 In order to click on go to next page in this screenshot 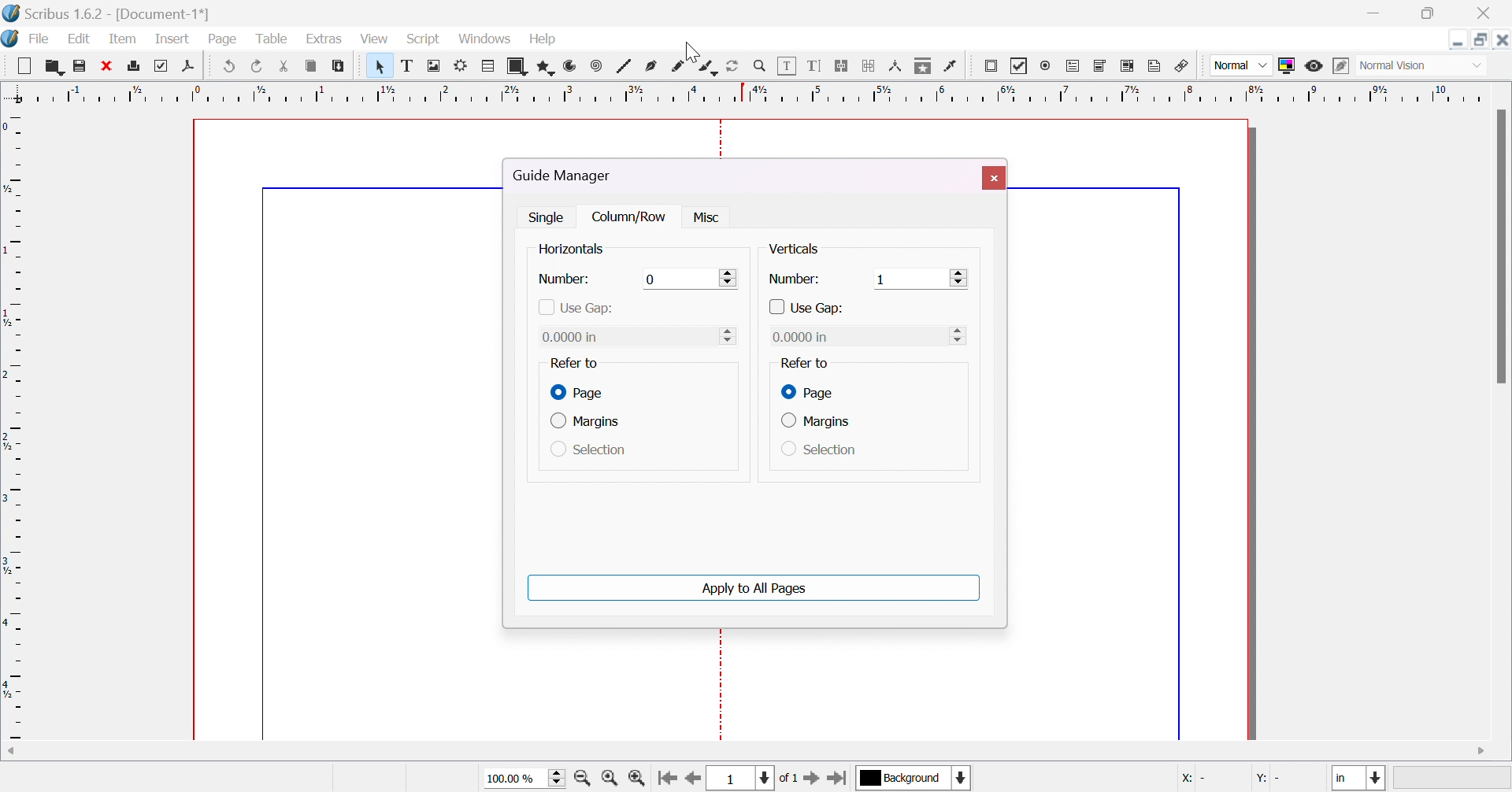, I will do `click(812, 779)`.